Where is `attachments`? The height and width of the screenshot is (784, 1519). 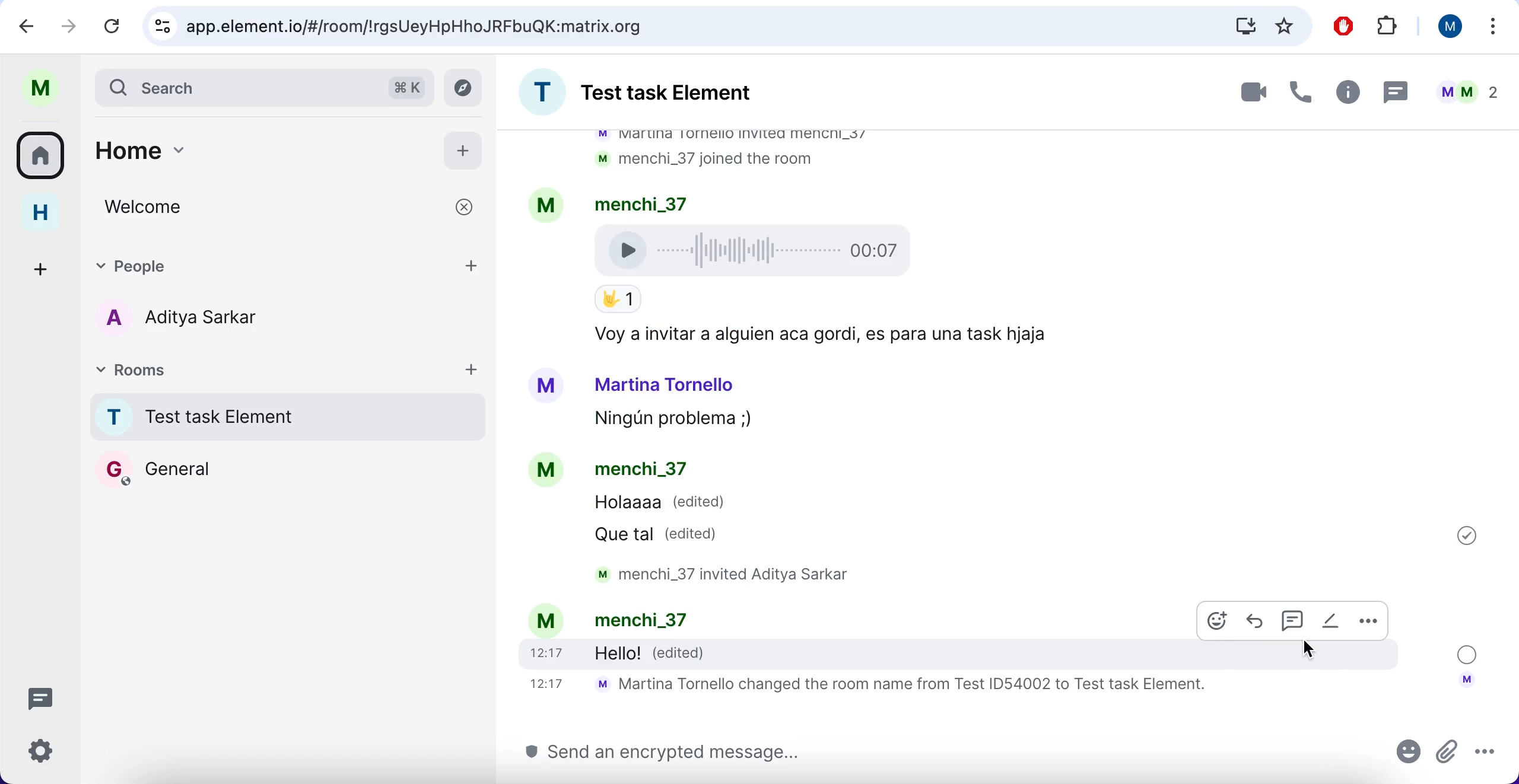 attachments is located at coordinates (1447, 758).